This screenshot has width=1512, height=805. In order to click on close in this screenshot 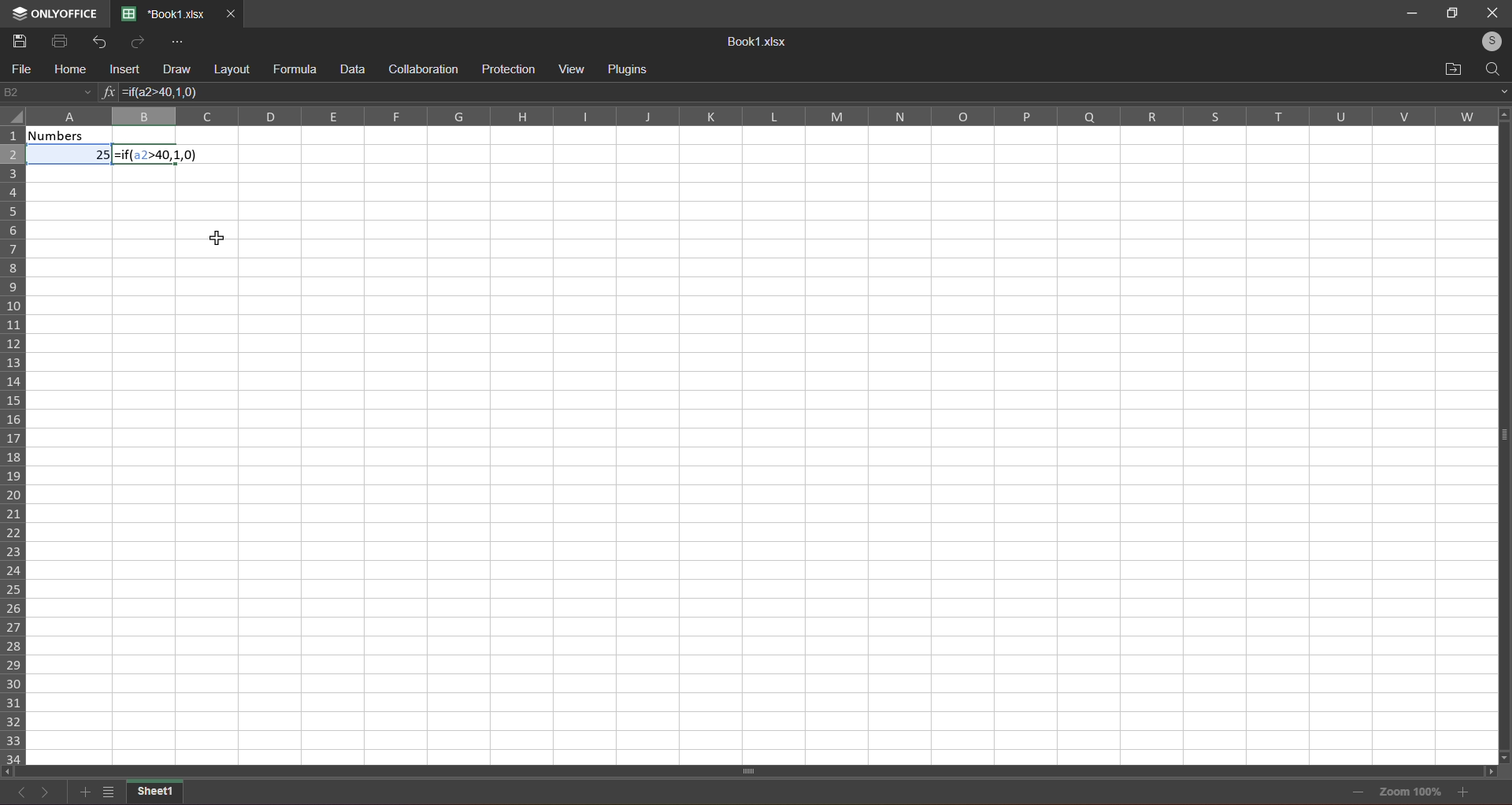, I will do `click(1491, 13)`.